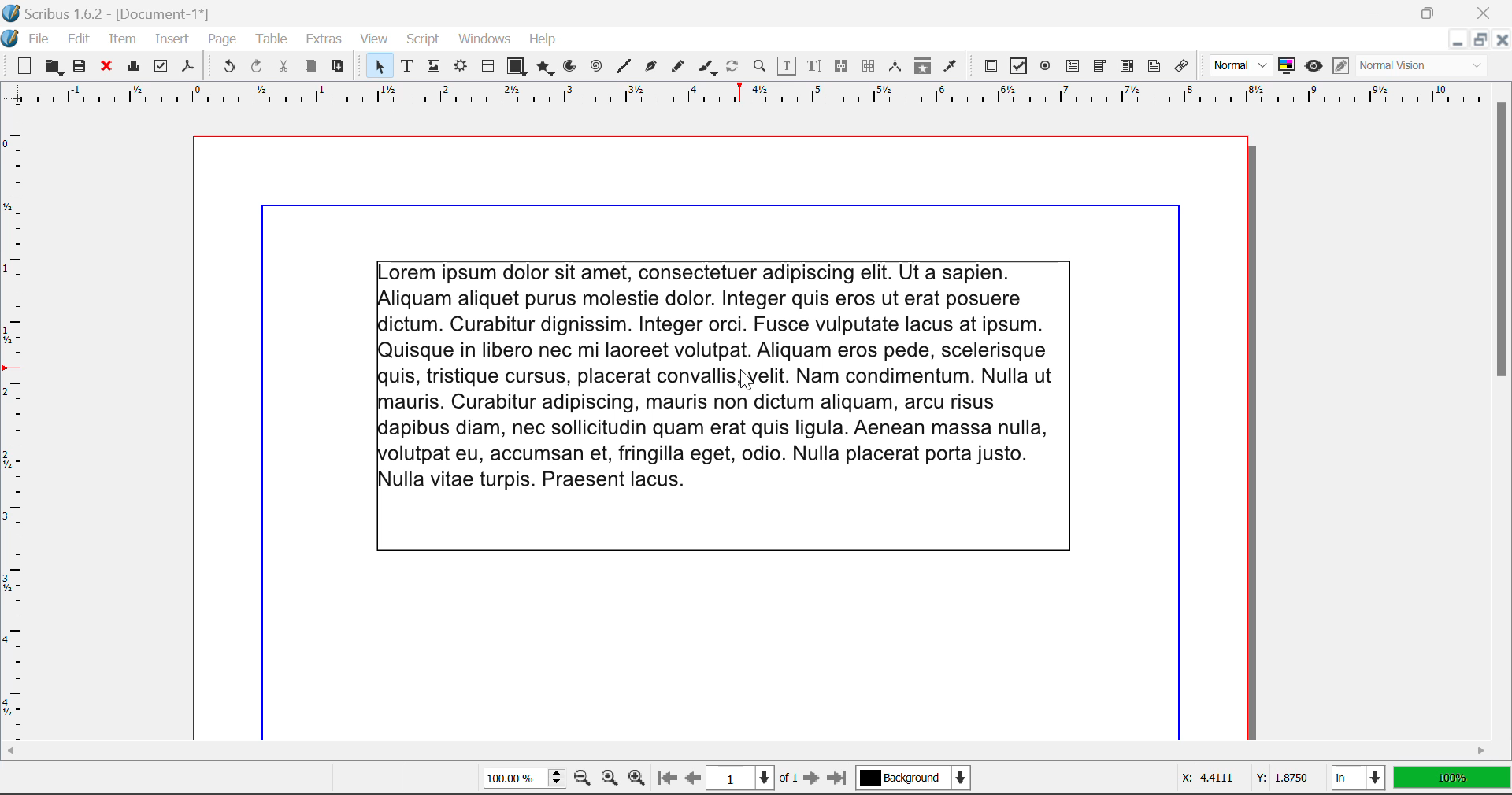  Describe the element at coordinates (326, 39) in the screenshot. I see `Extras` at that location.